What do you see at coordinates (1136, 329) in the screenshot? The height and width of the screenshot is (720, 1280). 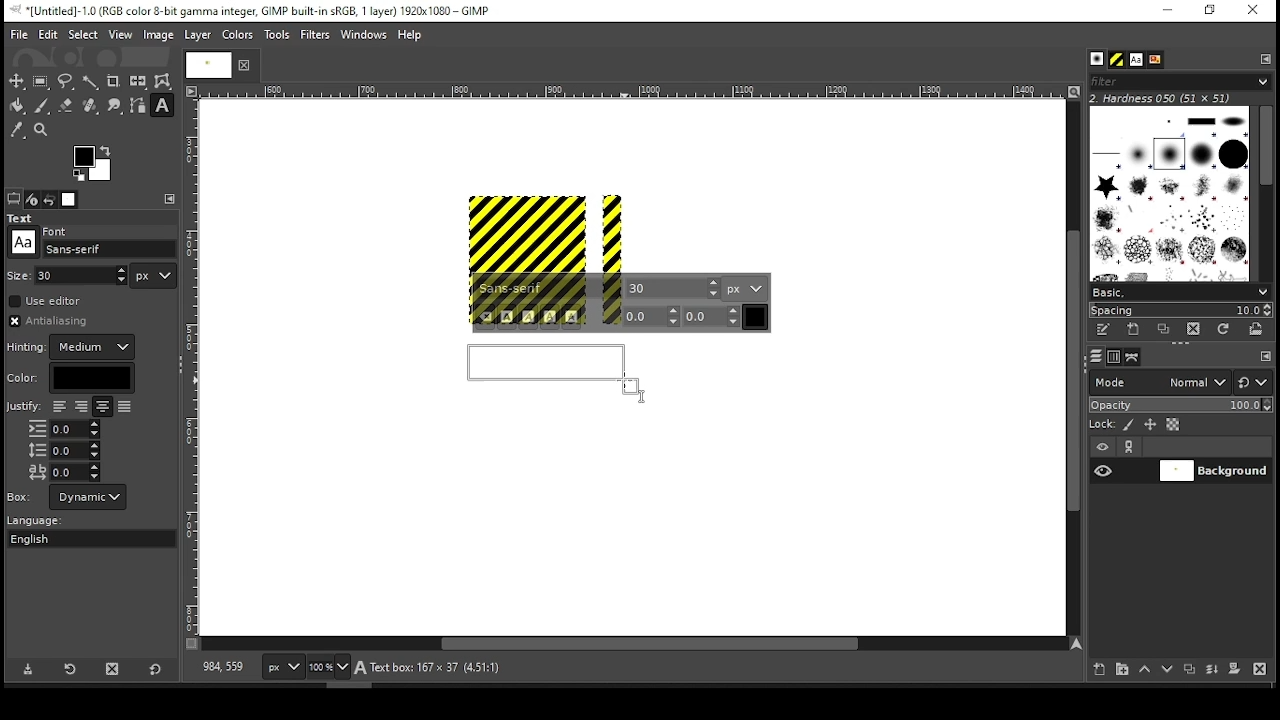 I see `create a new brush` at bounding box center [1136, 329].